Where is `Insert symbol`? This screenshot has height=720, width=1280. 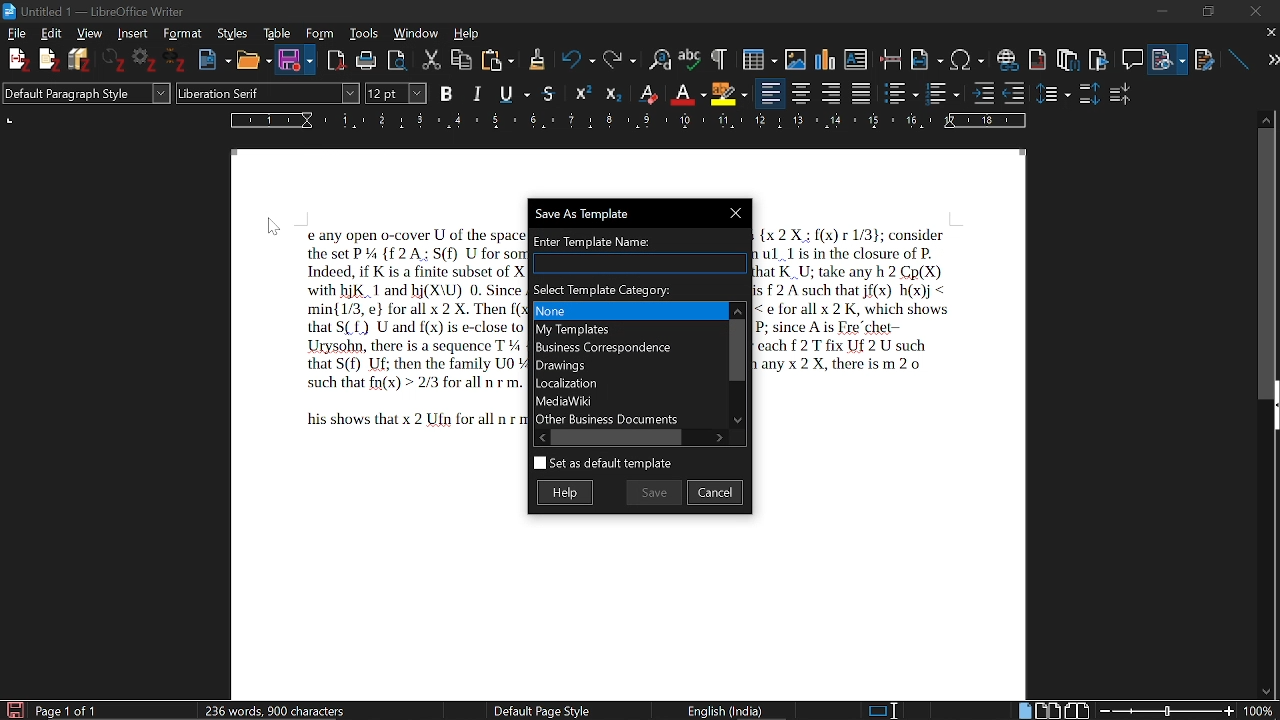 Insert symbol is located at coordinates (968, 58).